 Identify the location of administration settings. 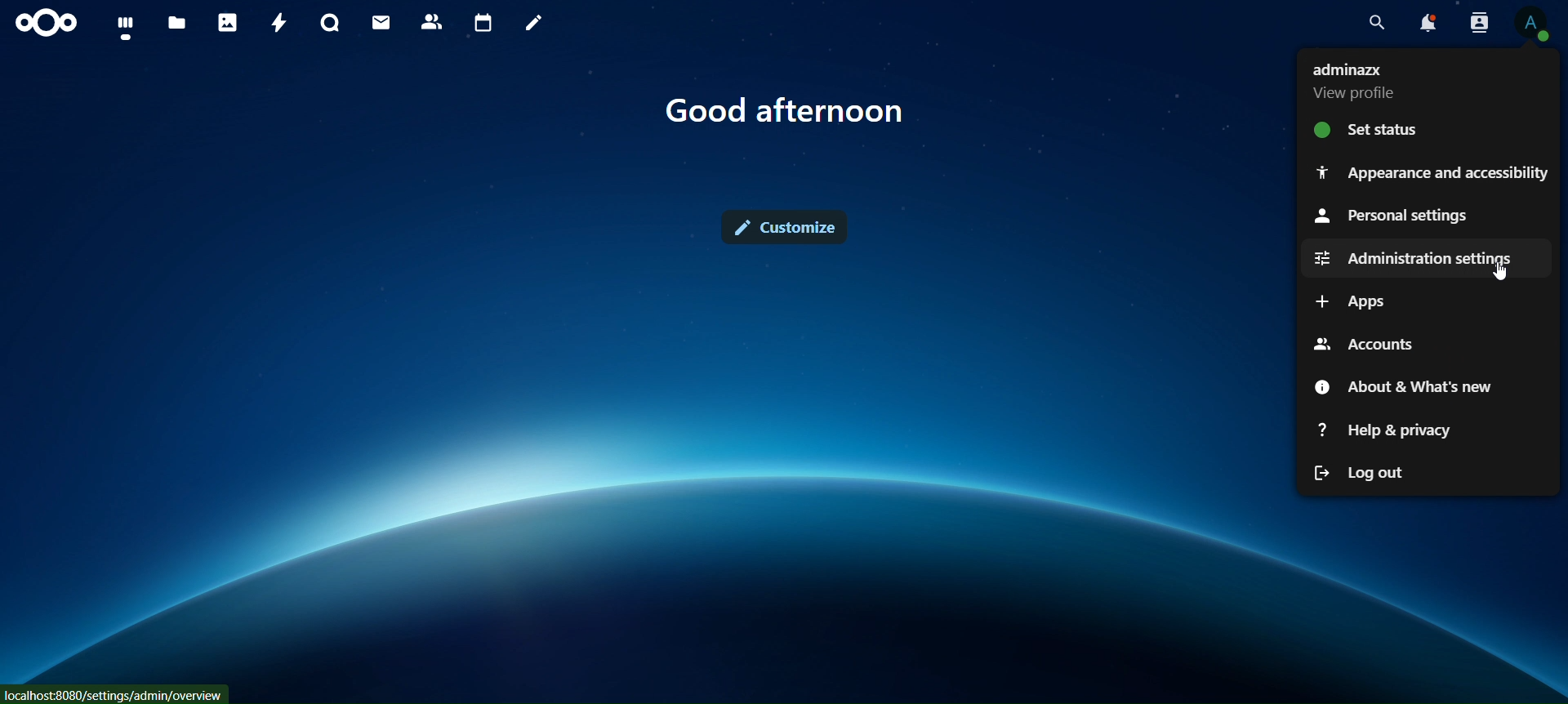
(1414, 257).